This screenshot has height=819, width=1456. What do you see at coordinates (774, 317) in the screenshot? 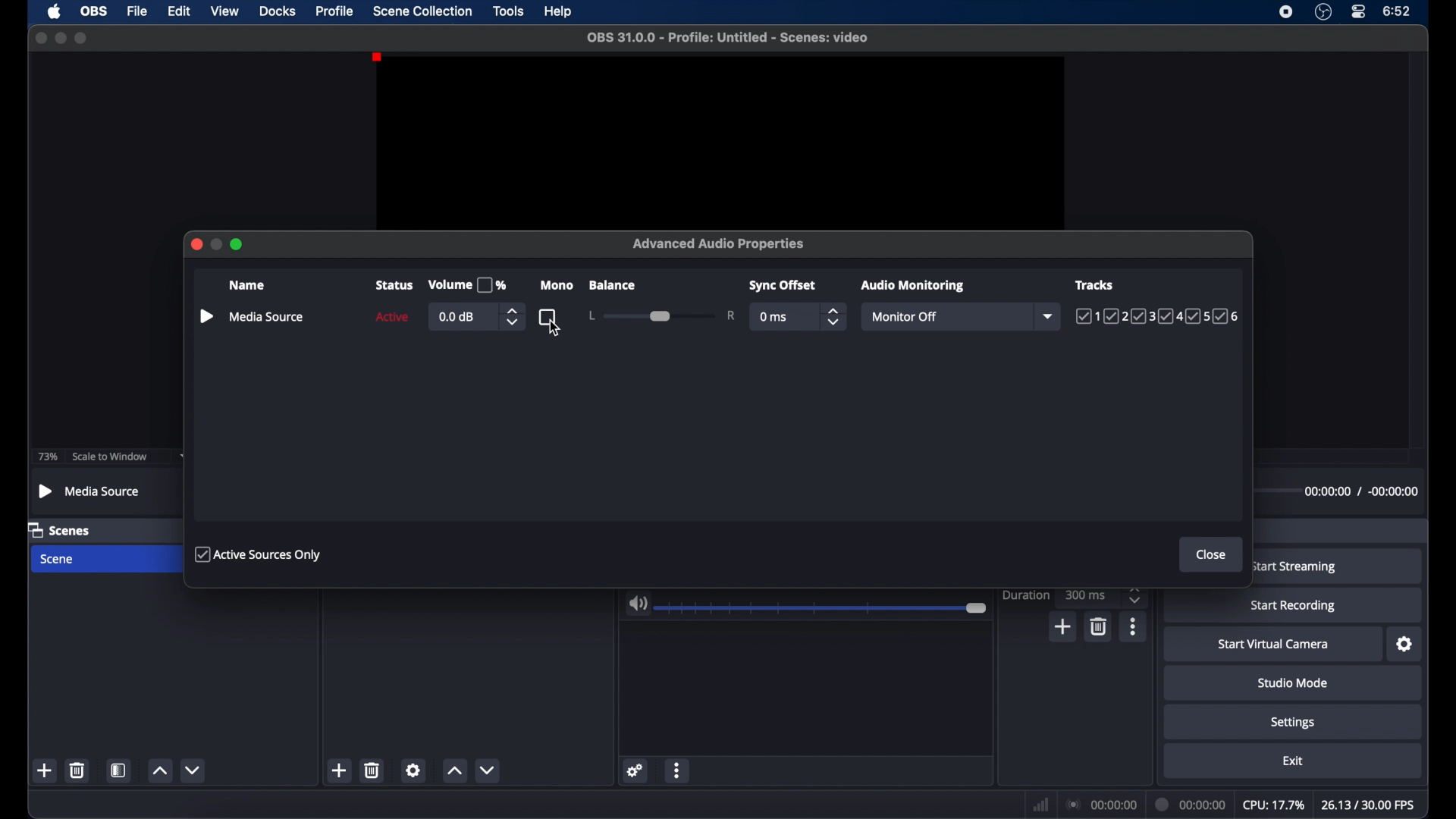
I see `0 ms` at bounding box center [774, 317].